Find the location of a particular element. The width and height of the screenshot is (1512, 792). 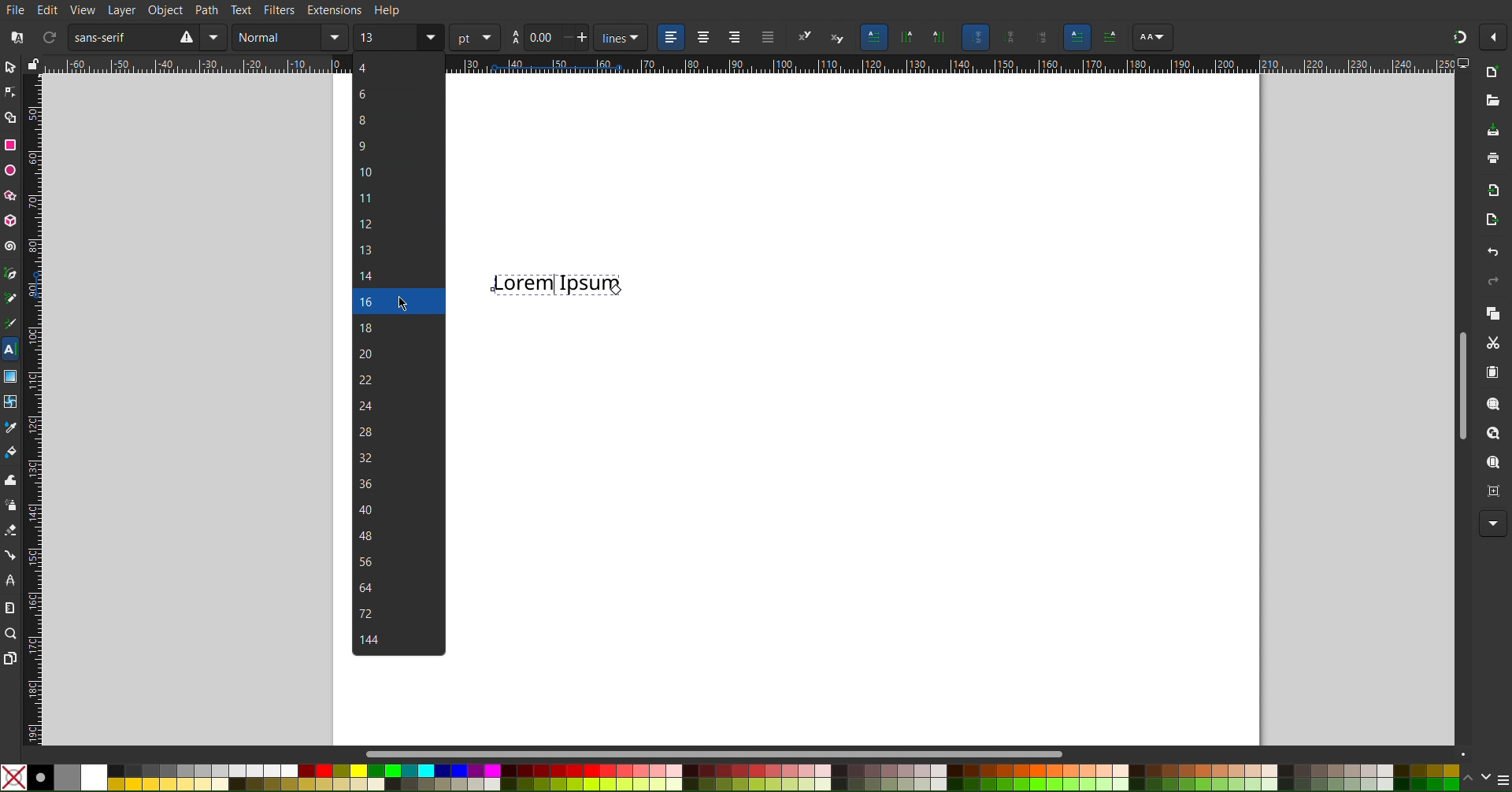

normal menu is located at coordinates (335, 37).